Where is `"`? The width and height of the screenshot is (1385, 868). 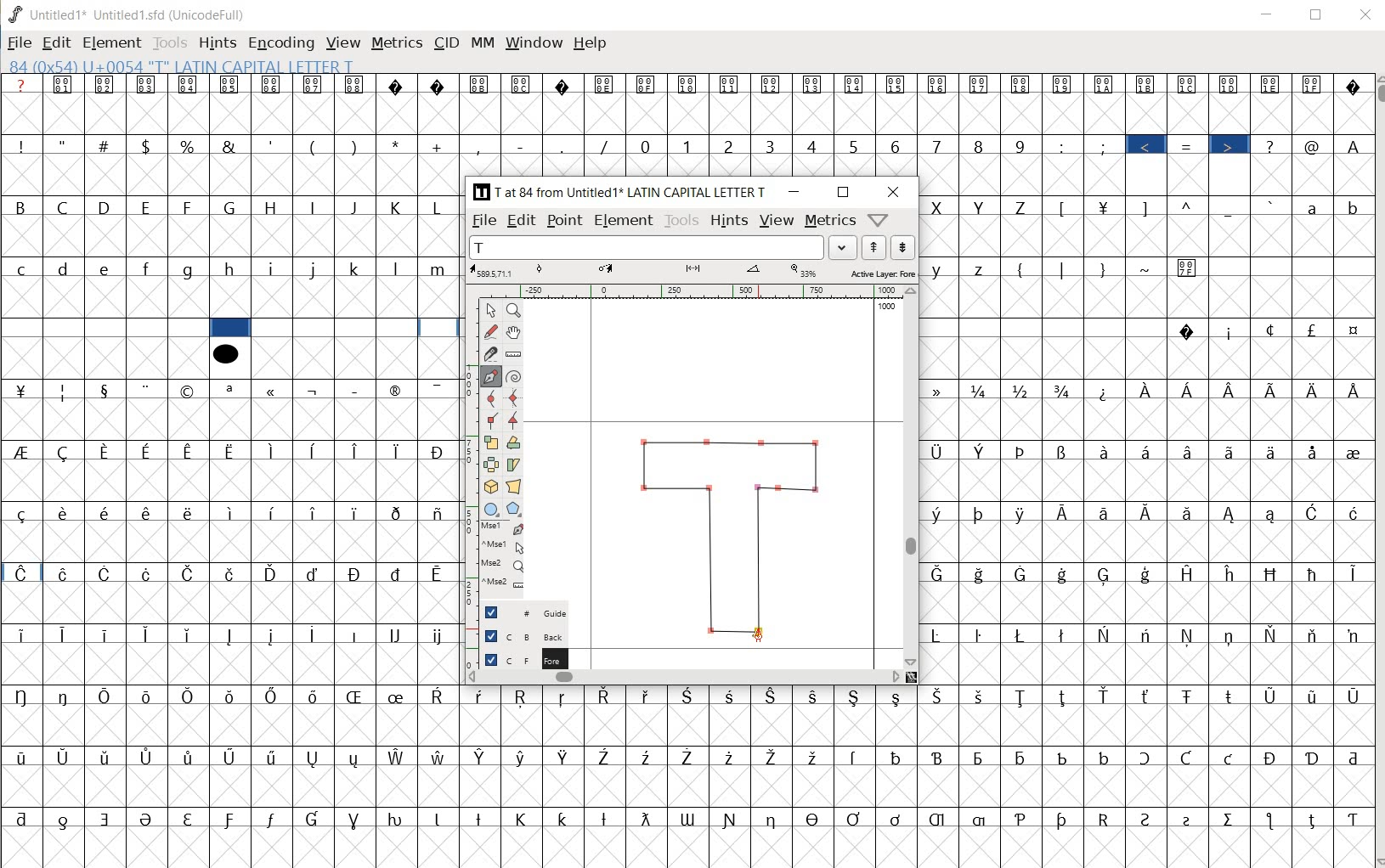 " is located at coordinates (65, 144).